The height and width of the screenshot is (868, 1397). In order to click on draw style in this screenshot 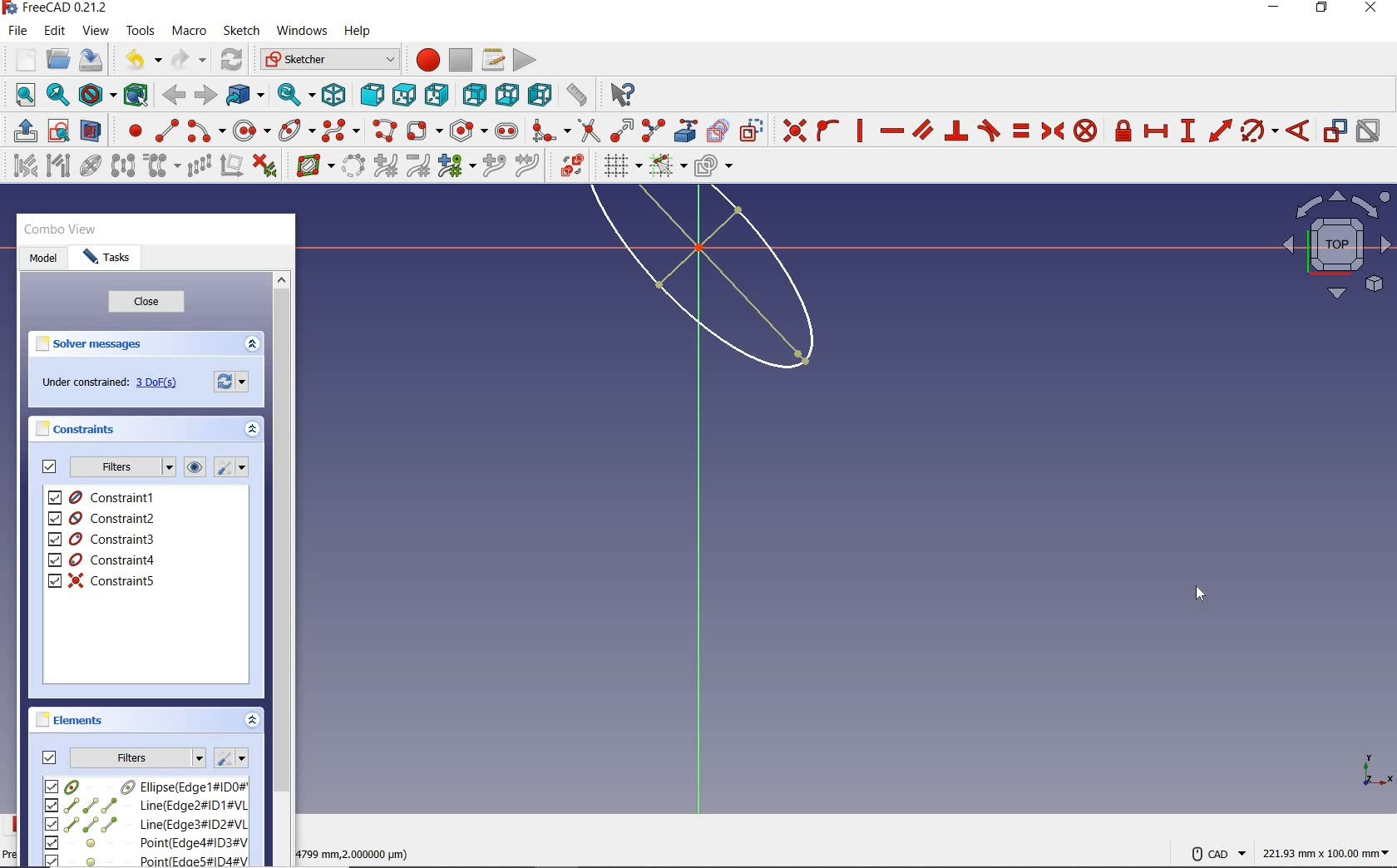, I will do `click(97, 94)`.